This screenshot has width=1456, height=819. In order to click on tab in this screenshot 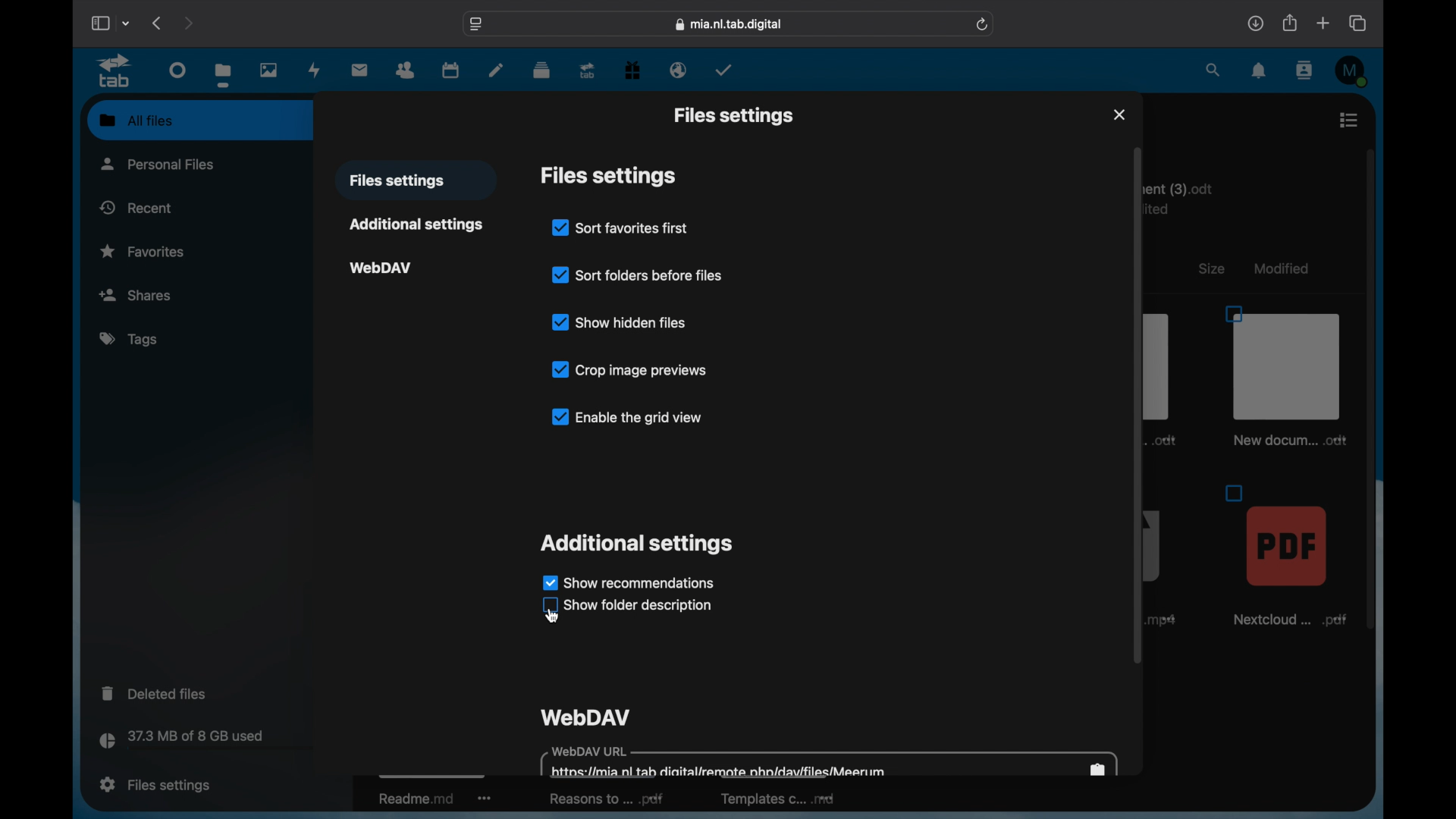, I will do `click(114, 71)`.